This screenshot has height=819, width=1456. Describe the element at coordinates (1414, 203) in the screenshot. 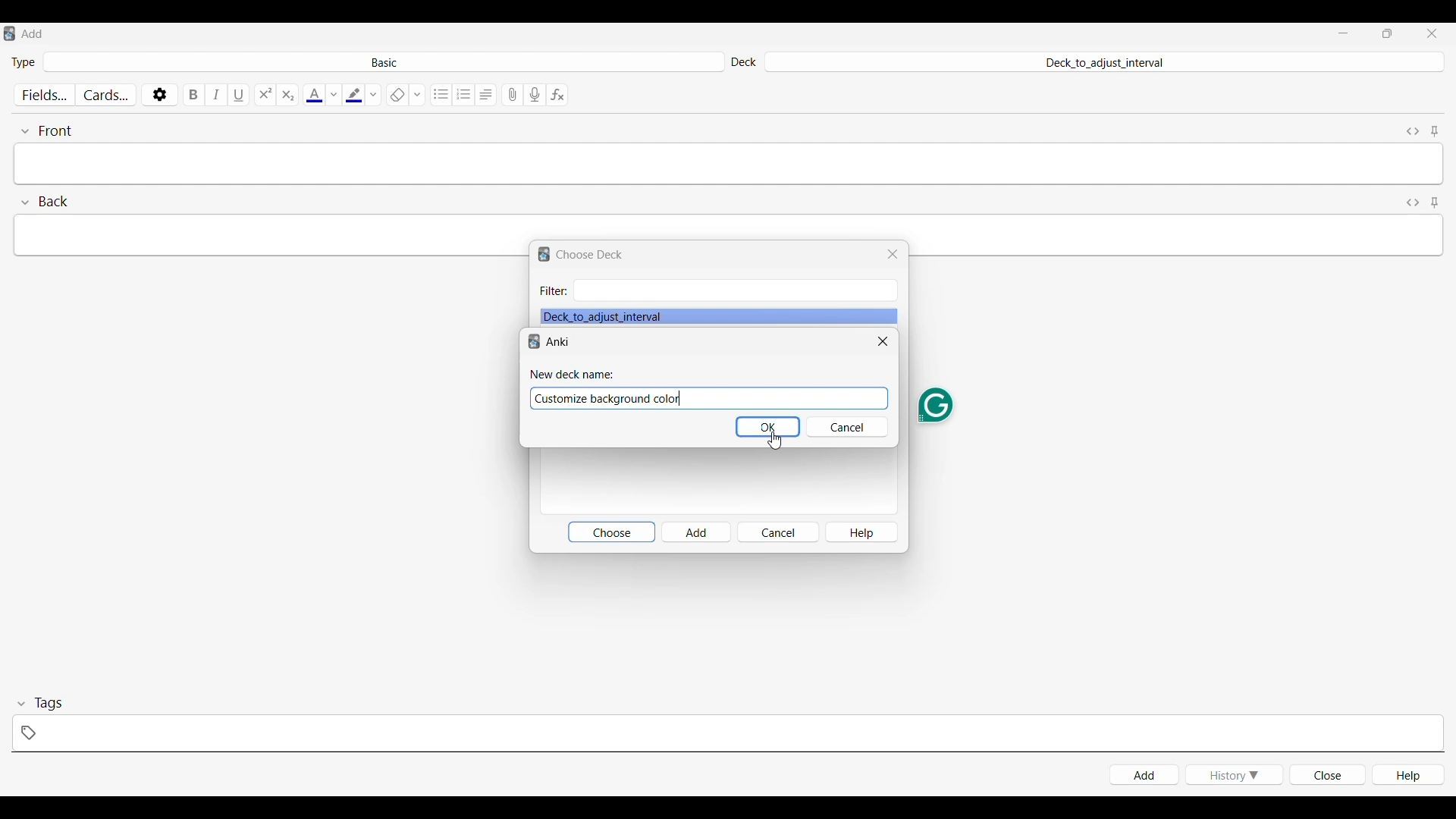

I see `Toggle HTML editor` at that location.